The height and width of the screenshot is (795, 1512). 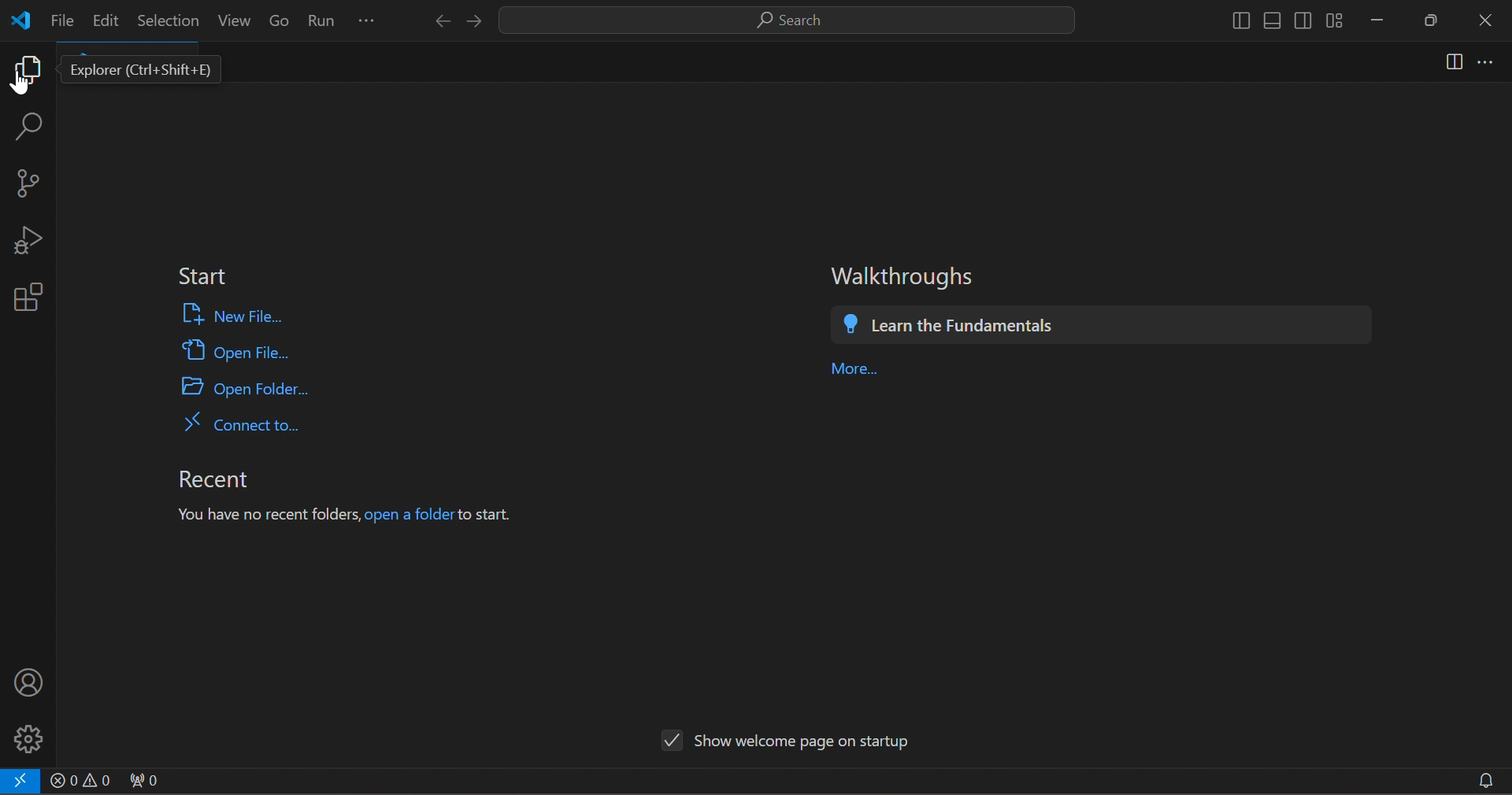 I want to click on more, so click(x=1488, y=61).